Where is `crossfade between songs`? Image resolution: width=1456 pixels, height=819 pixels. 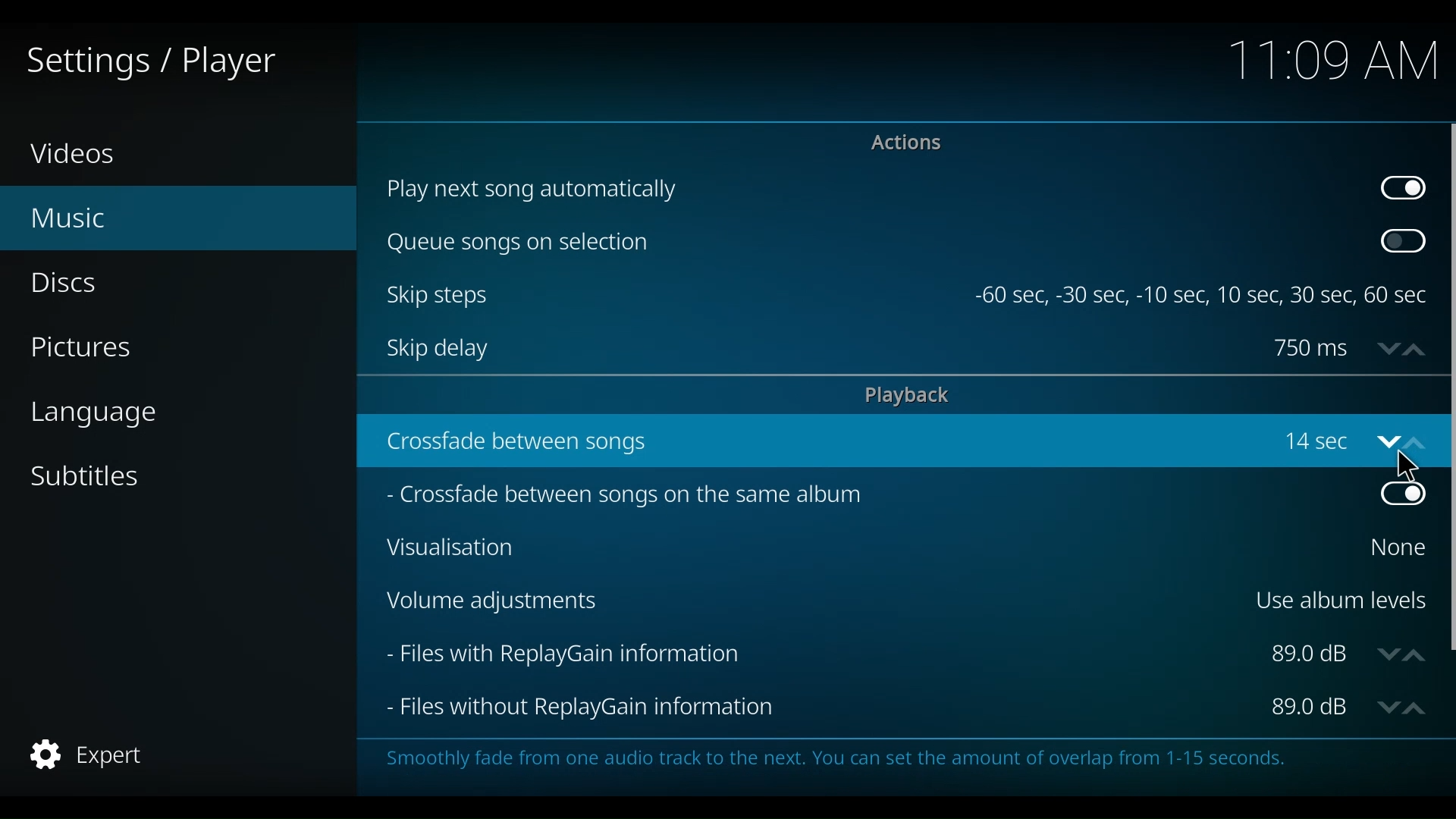
crossfade between songs is located at coordinates (816, 441).